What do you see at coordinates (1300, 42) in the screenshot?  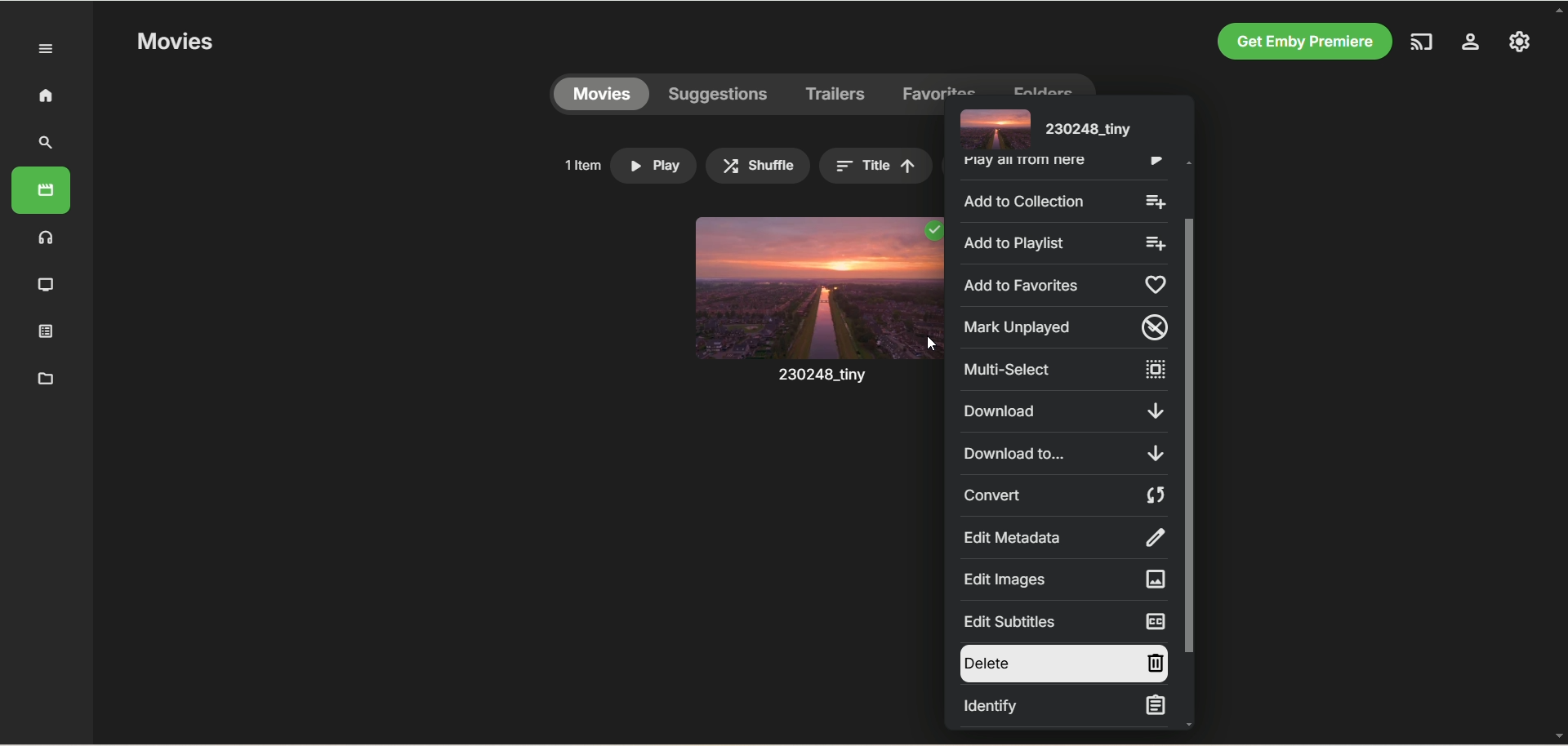 I see `get emby premiere` at bounding box center [1300, 42].